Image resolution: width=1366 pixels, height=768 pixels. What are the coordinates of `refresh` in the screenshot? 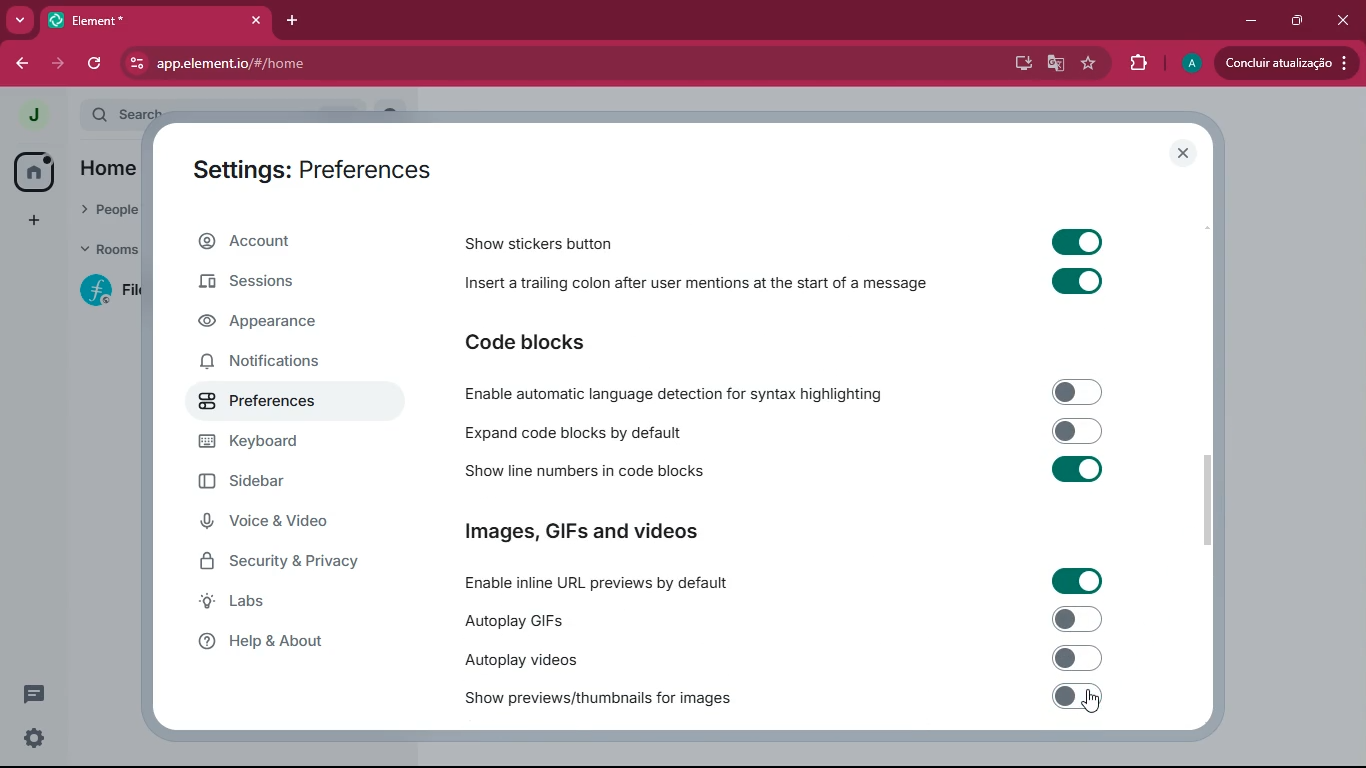 It's located at (92, 64).